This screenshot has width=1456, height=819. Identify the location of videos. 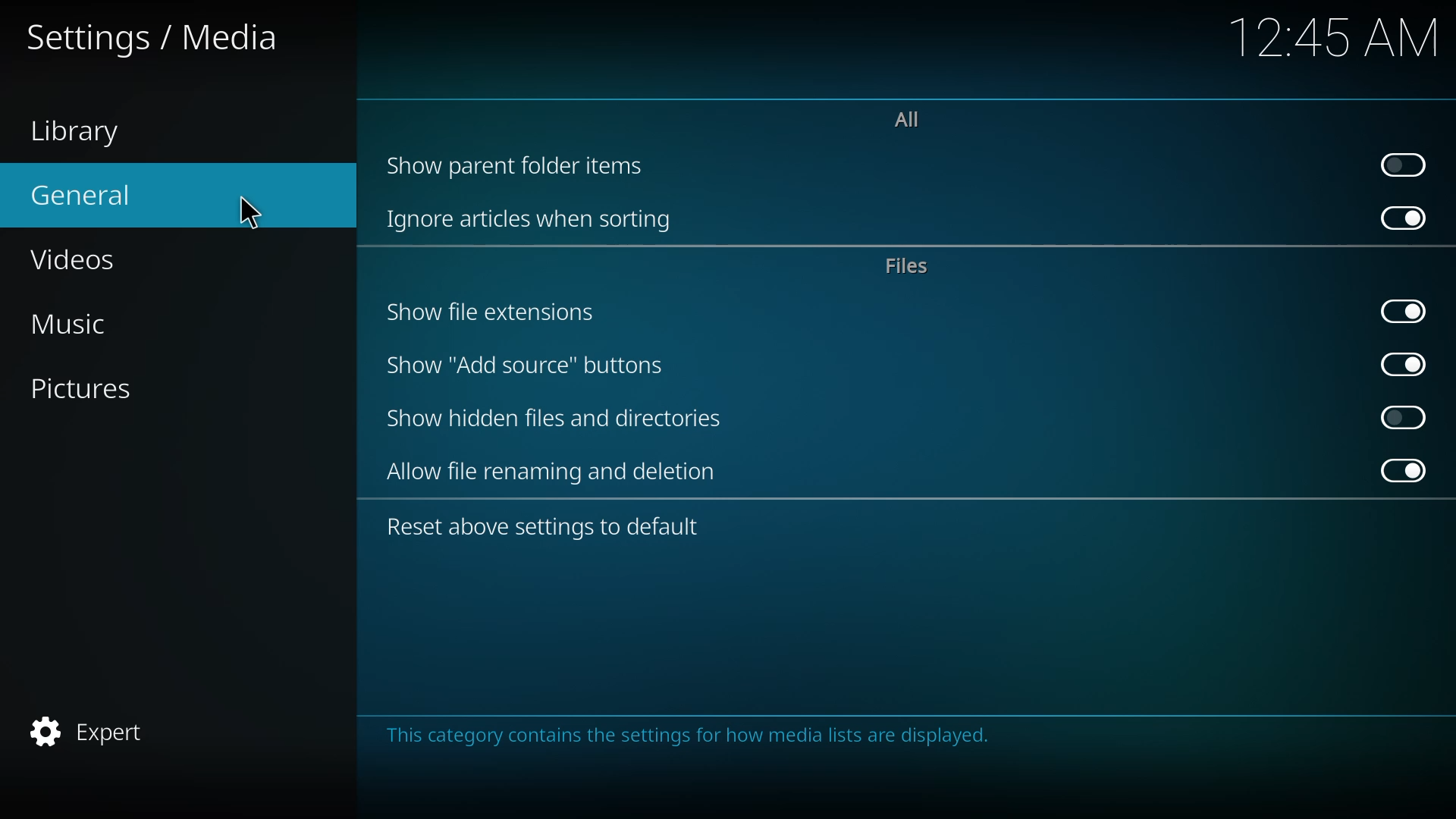
(78, 258).